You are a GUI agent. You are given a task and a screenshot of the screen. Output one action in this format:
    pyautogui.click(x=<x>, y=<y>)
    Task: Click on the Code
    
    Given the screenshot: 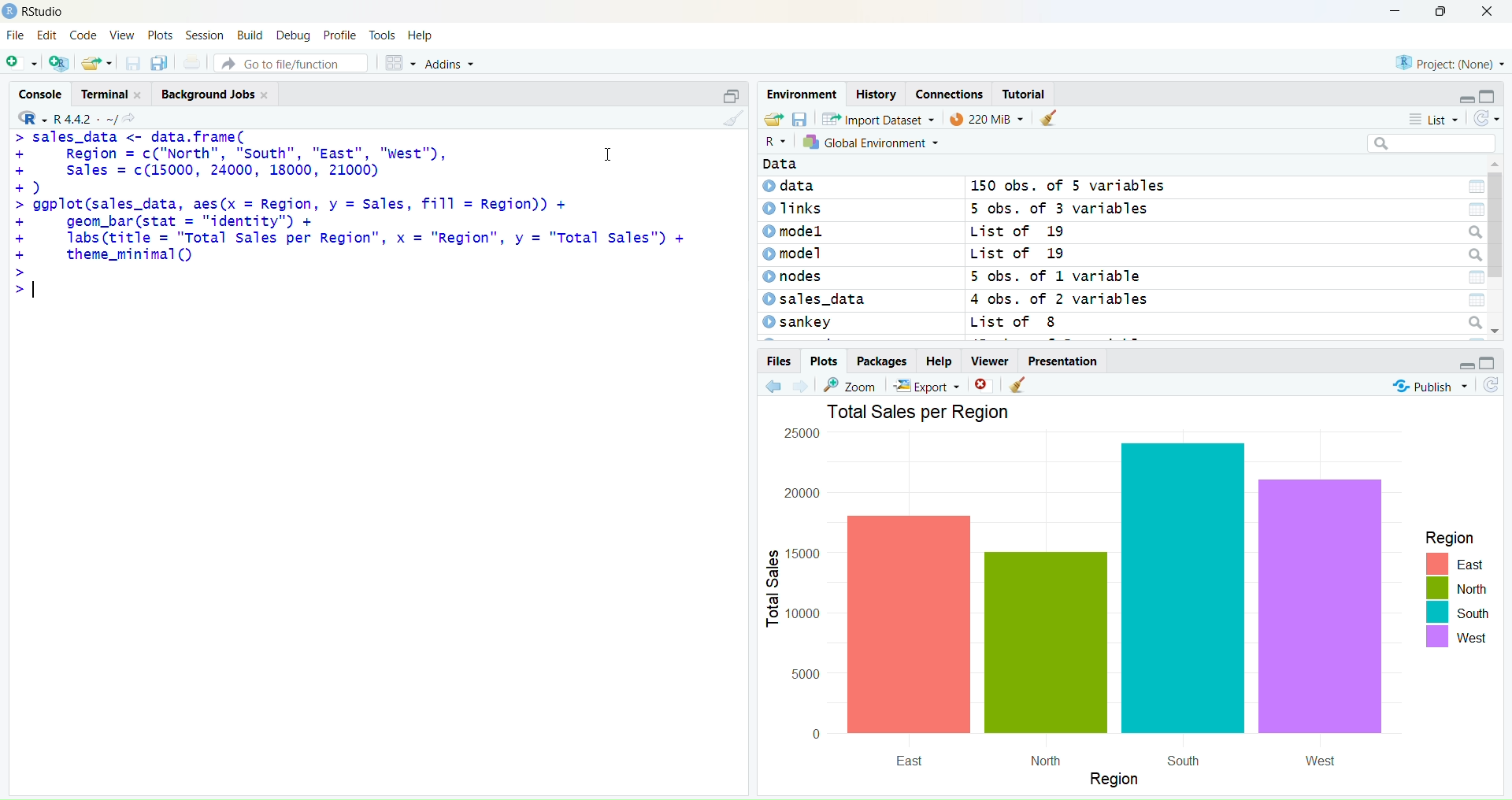 What is the action you would take?
    pyautogui.click(x=84, y=35)
    